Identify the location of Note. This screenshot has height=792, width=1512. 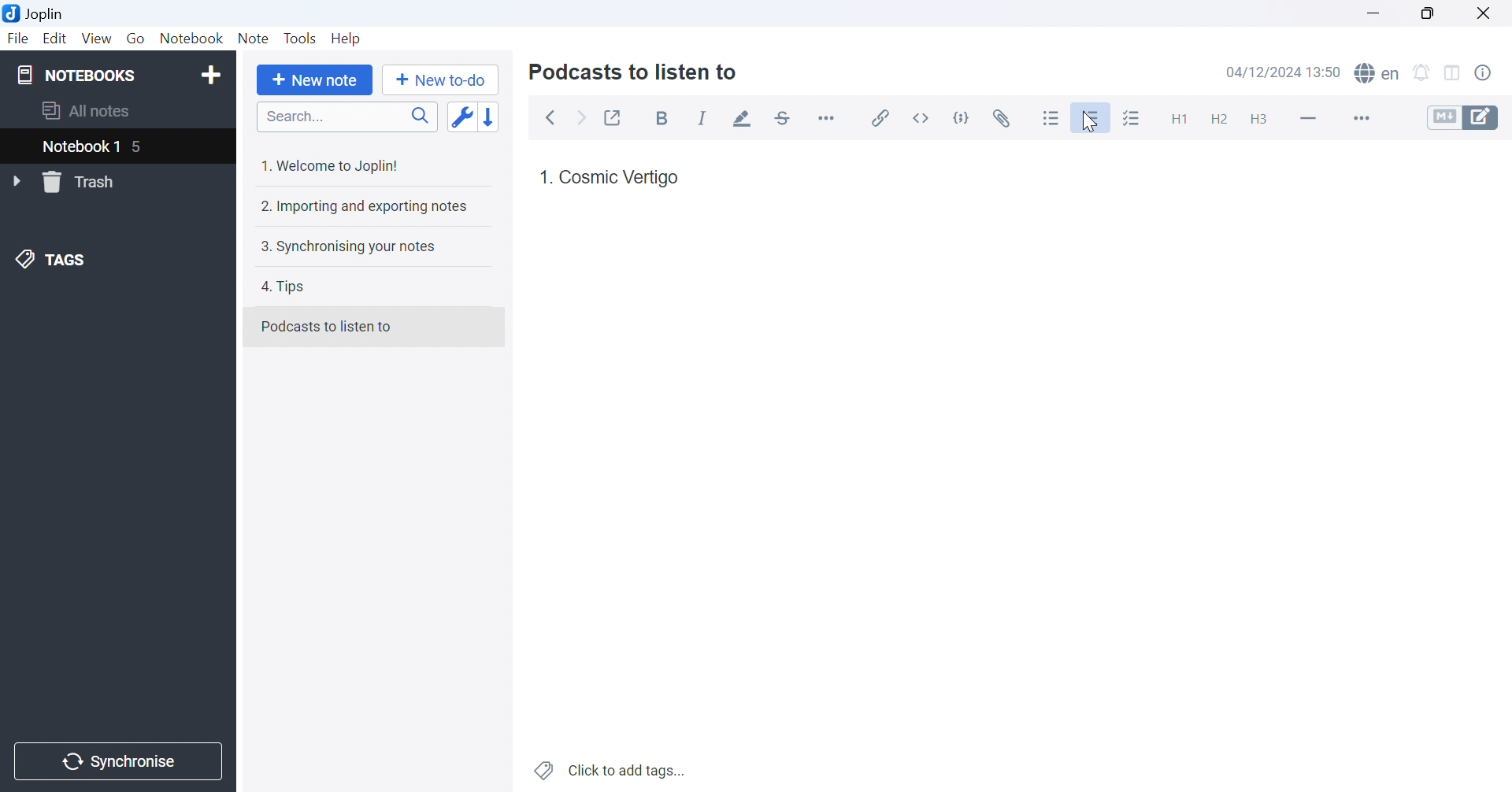
(254, 38).